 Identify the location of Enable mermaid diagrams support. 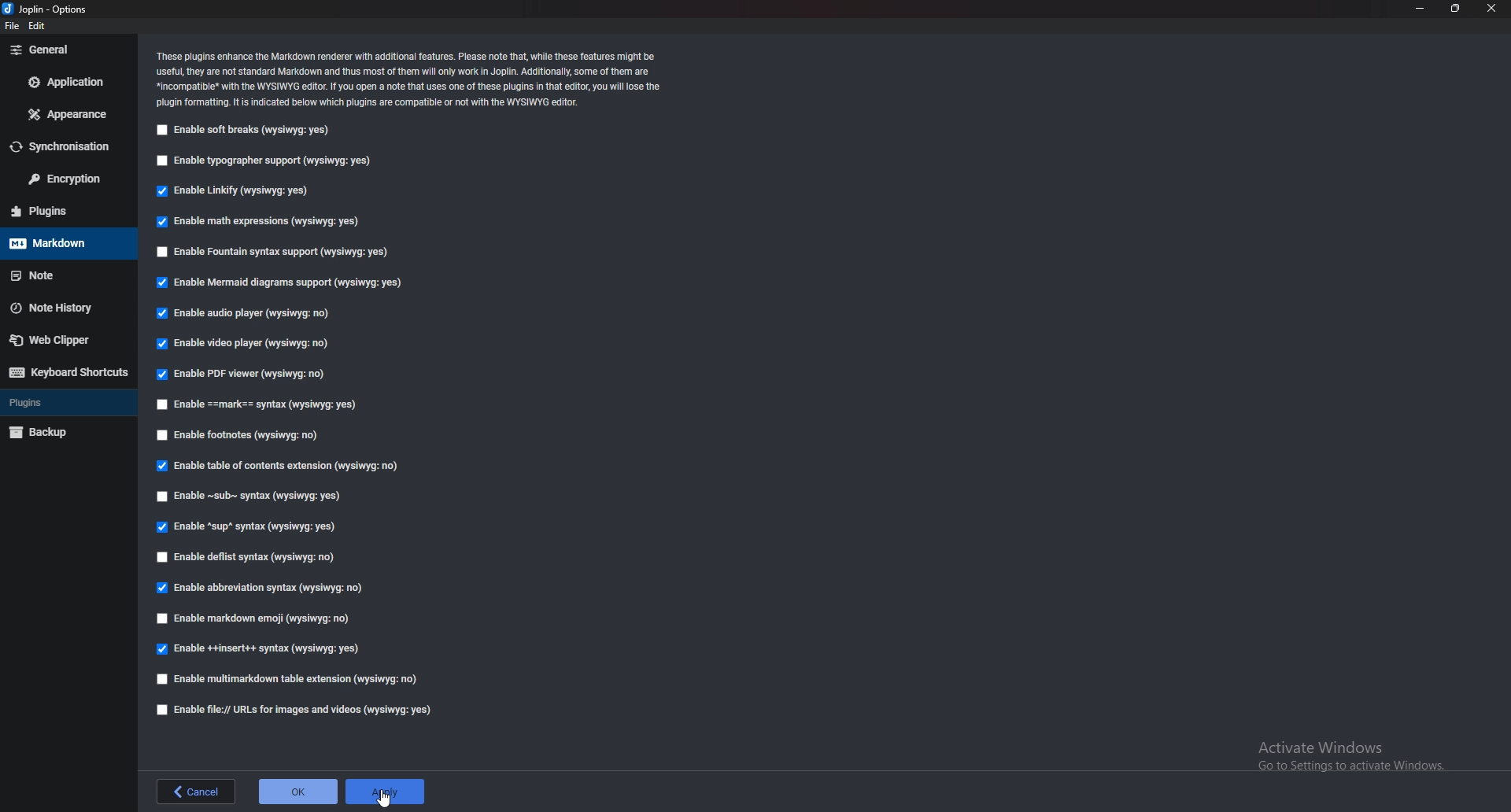
(275, 282).